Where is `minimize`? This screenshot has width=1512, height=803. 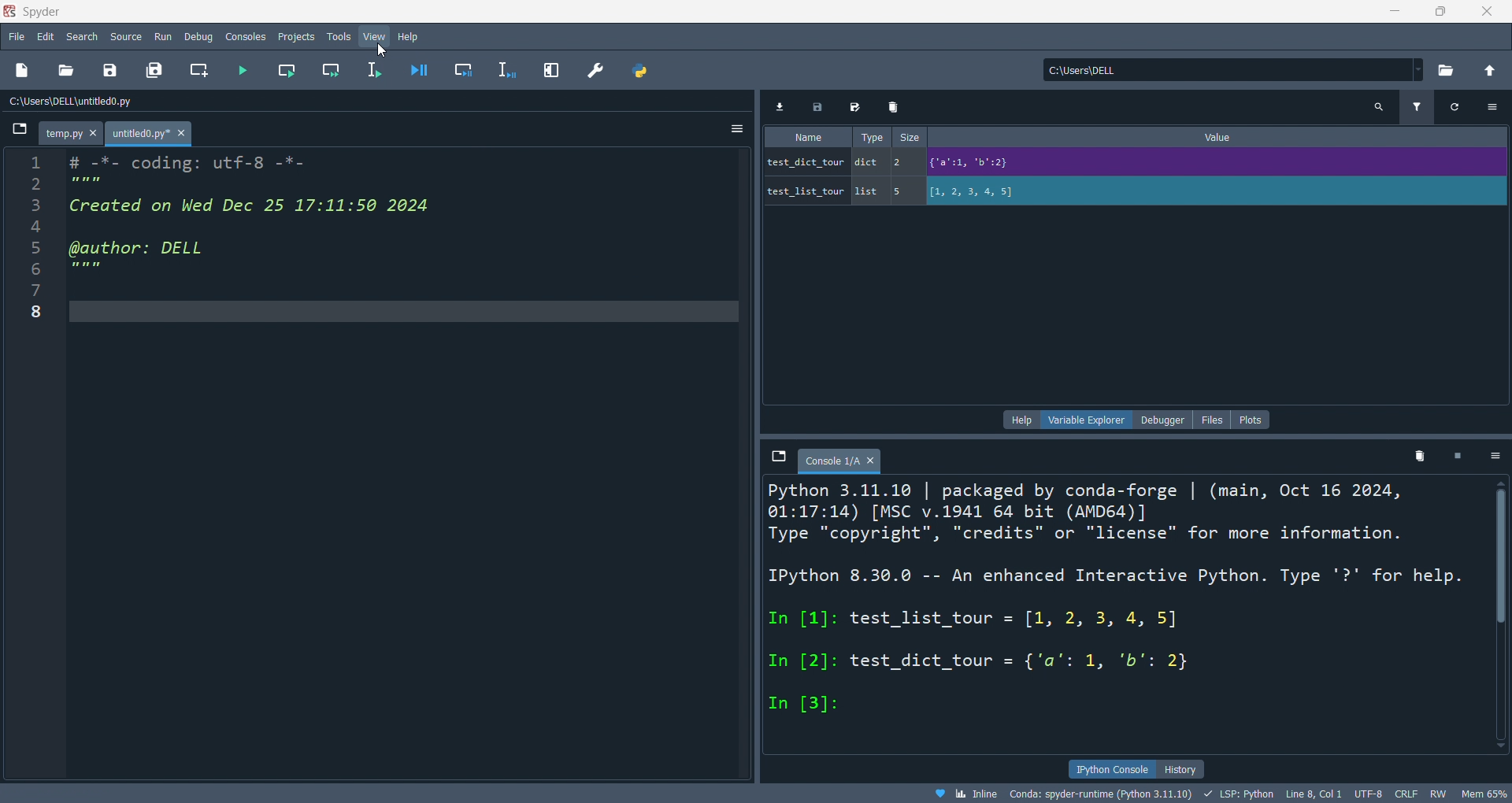 minimize is located at coordinates (1393, 12).